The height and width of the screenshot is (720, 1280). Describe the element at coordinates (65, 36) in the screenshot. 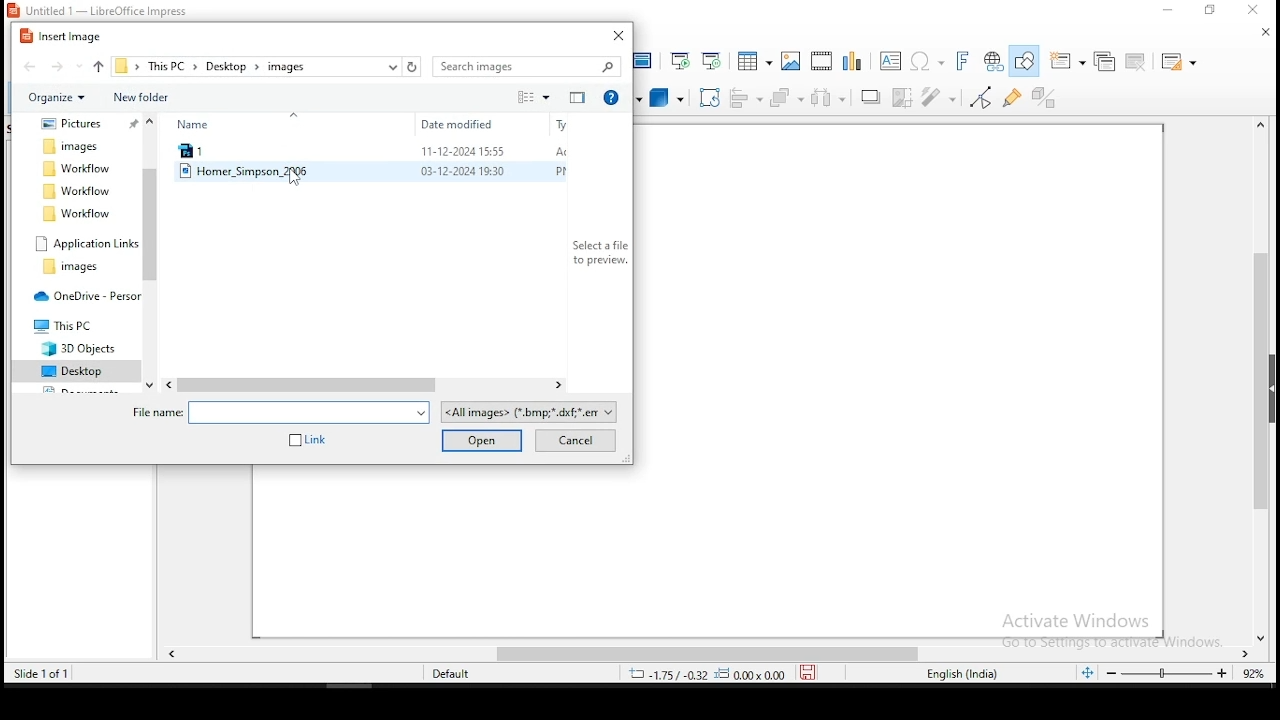

I see `insert image window` at that location.